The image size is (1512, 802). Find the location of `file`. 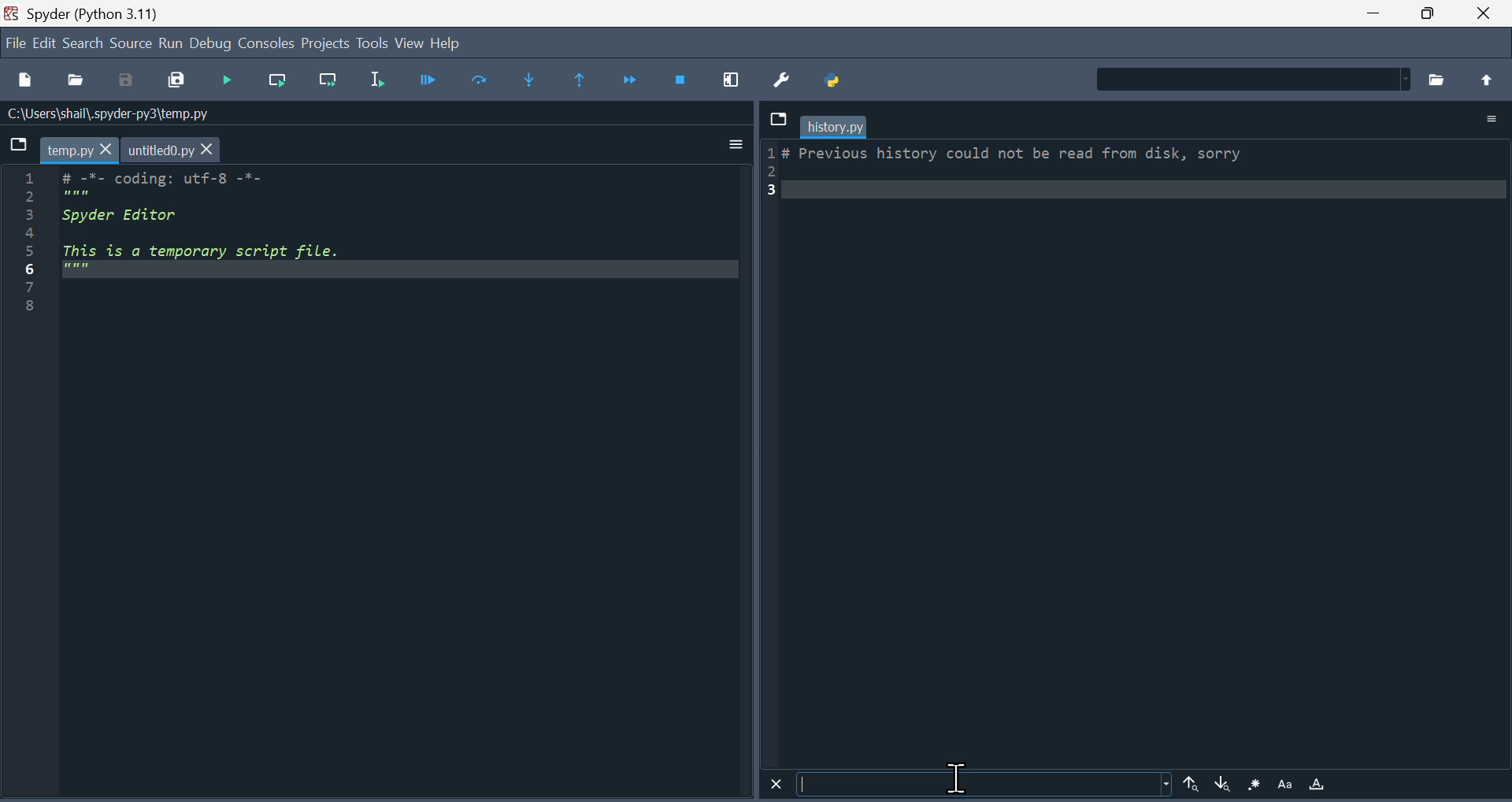

file is located at coordinates (15, 39).